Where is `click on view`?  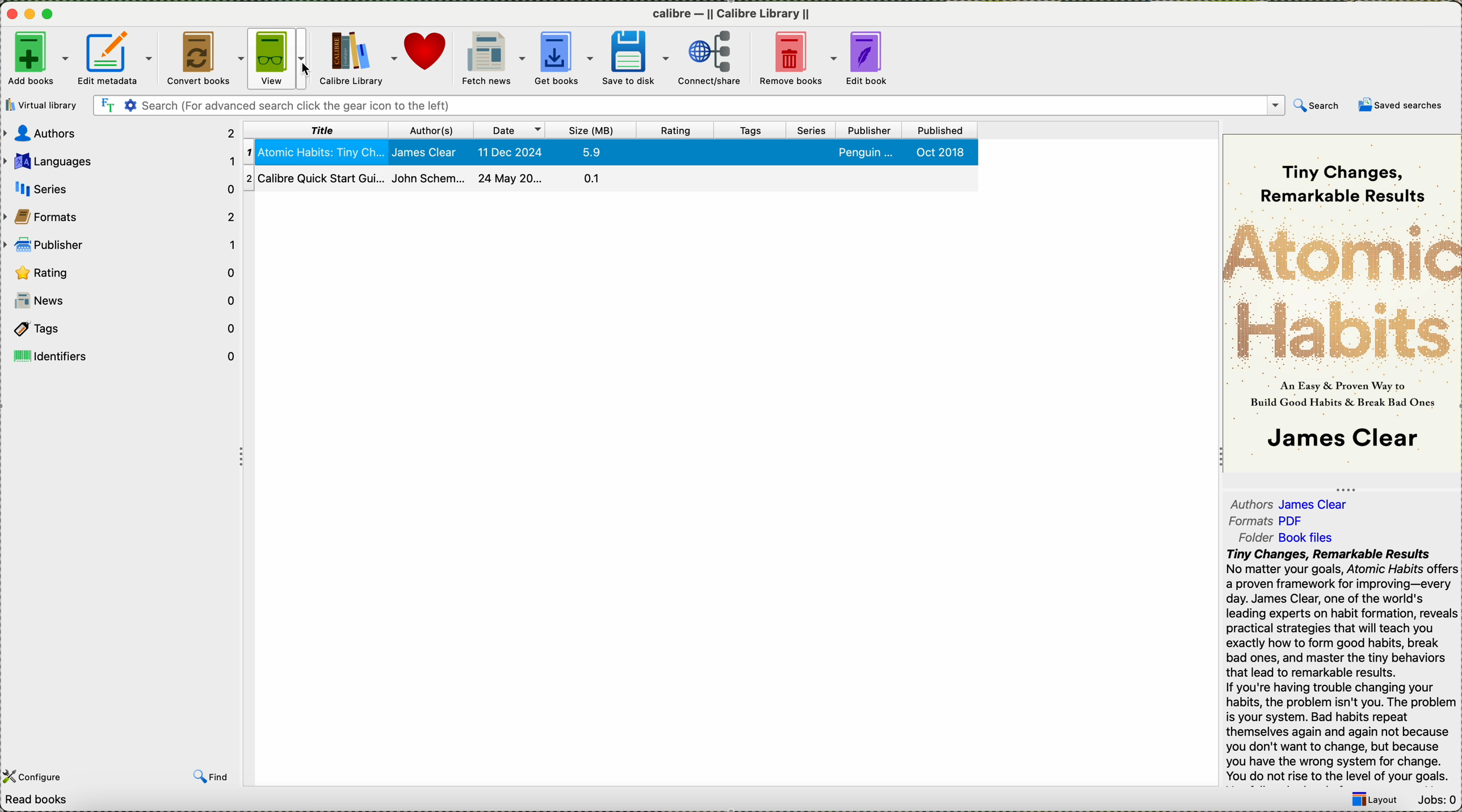
click on view is located at coordinates (282, 59).